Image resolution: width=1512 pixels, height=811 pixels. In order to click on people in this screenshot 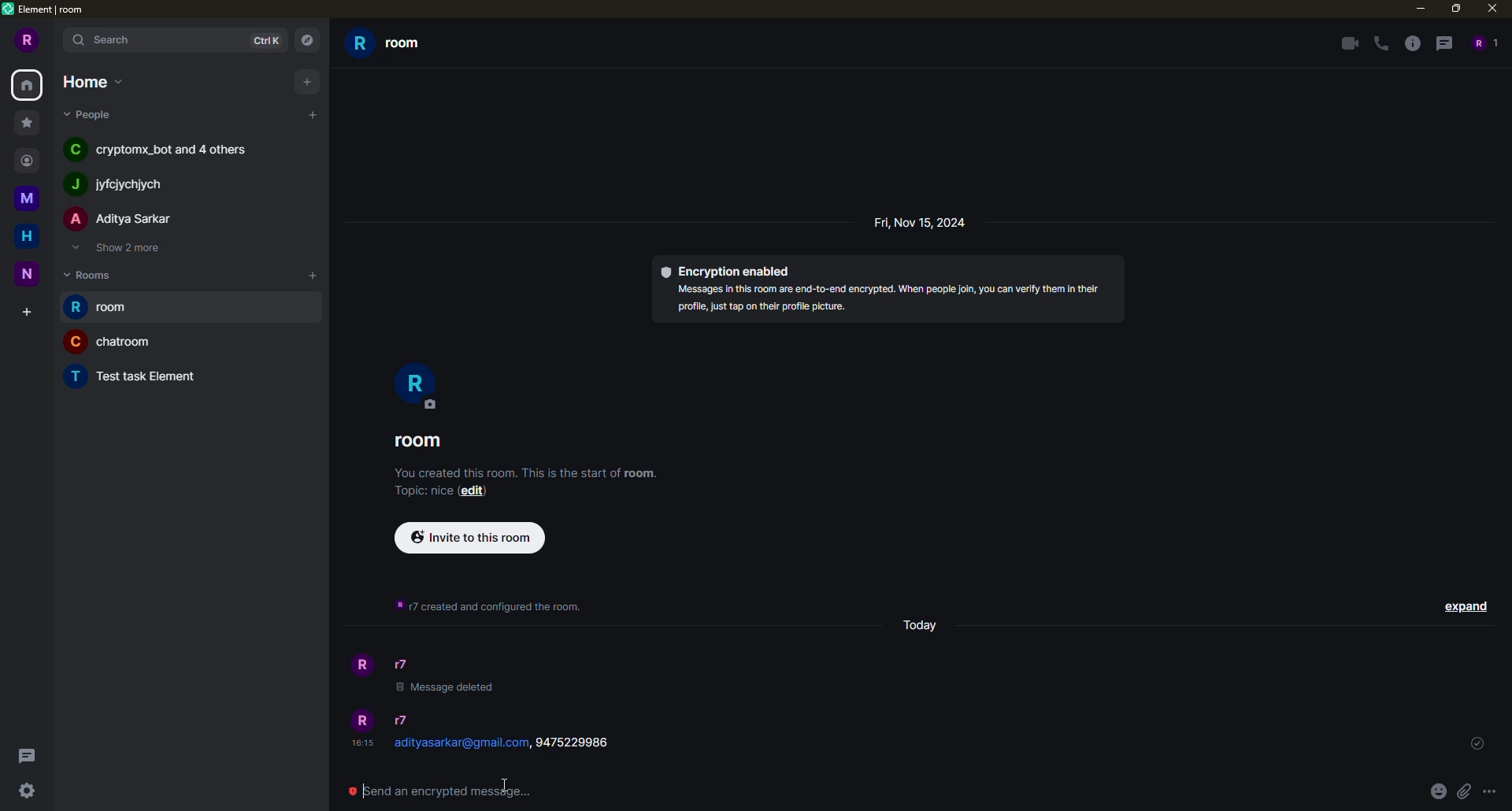, I will do `click(409, 665)`.